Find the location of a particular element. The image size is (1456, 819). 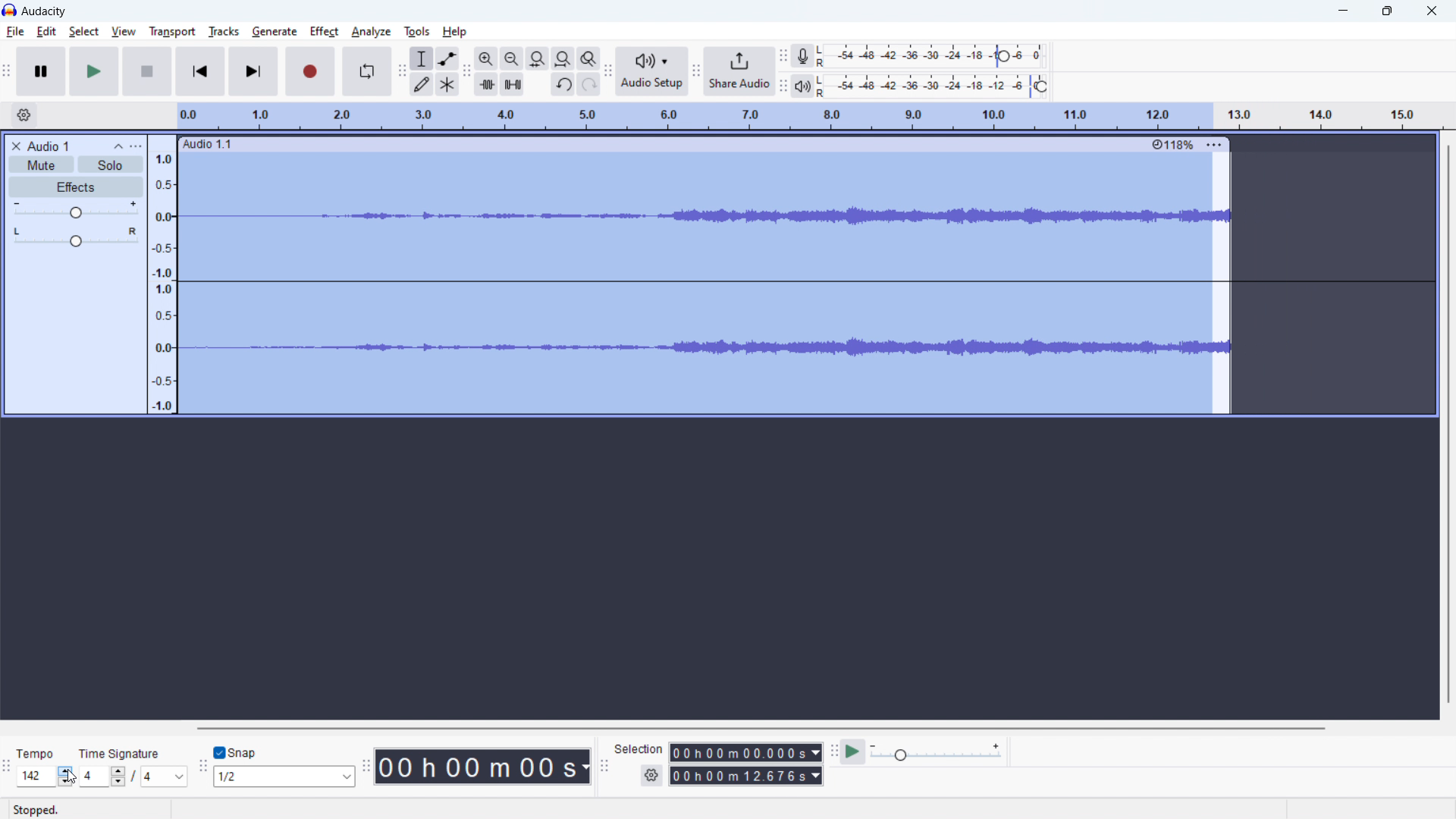

file is located at coordinates (14, 33).